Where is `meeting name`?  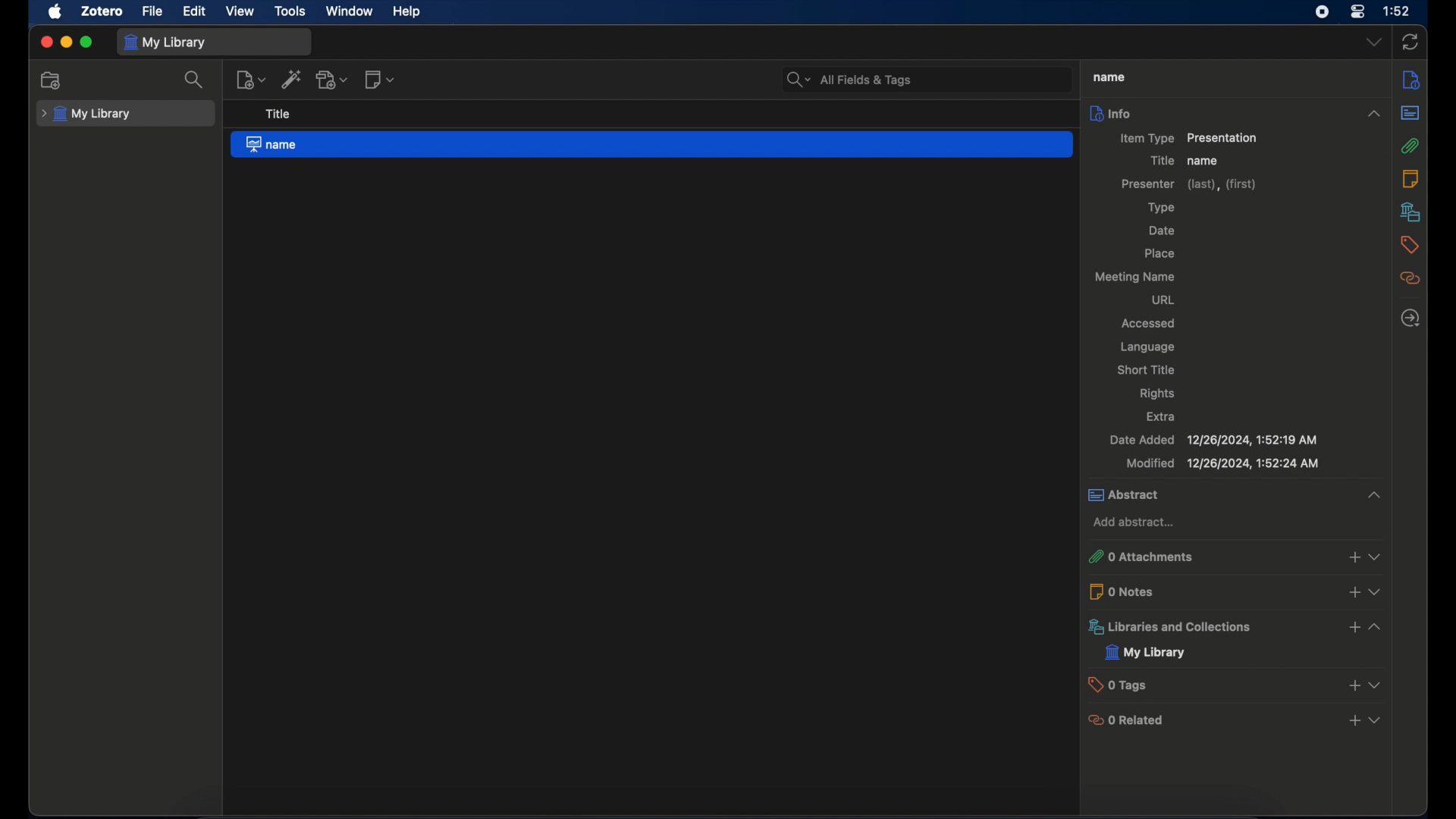
meeting name is located at coordinates (1137, 277).